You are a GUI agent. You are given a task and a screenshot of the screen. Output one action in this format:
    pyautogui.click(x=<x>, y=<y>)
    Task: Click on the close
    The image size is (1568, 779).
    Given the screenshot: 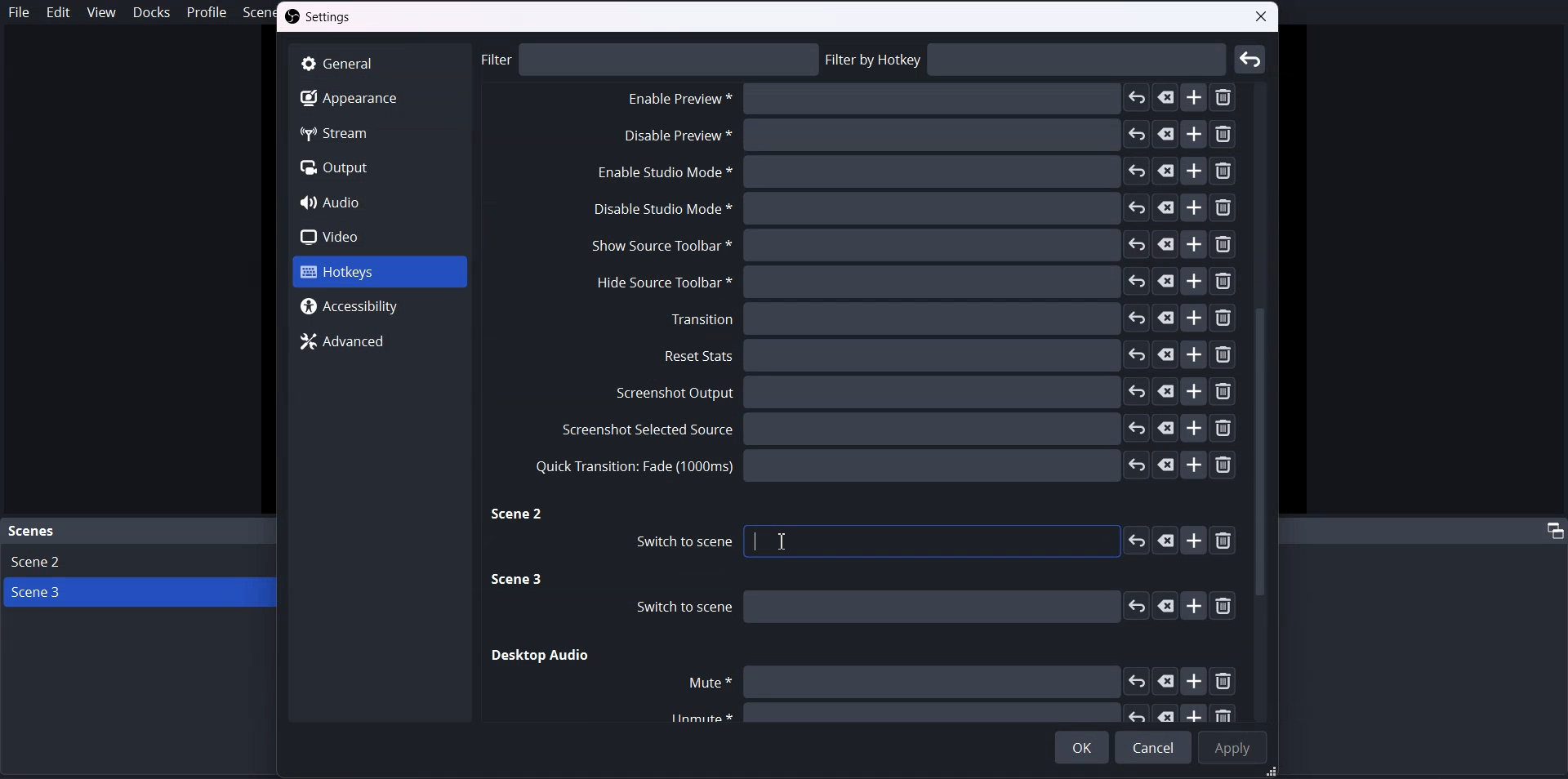 What is the action you would take?
    pyautogui.click(x=1263, y=19)
    